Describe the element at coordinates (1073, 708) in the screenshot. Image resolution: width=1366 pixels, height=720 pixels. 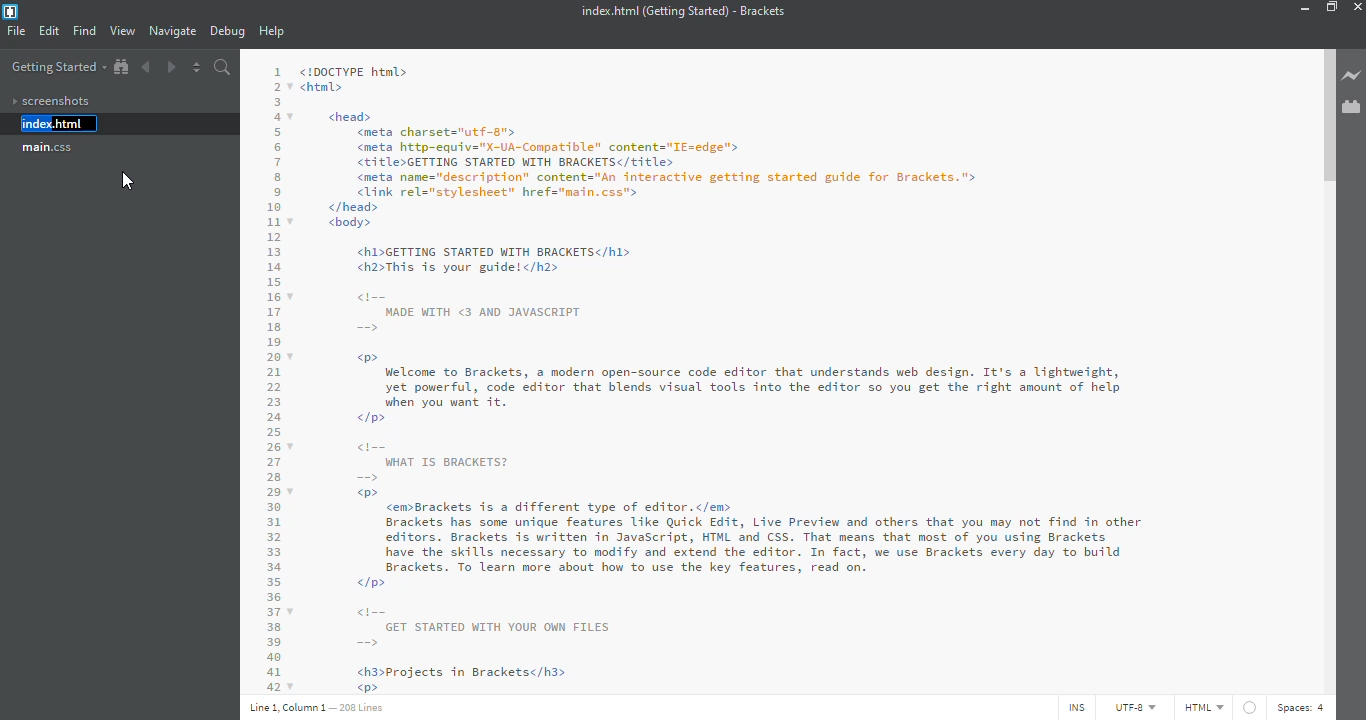
I see `ins` at that location.